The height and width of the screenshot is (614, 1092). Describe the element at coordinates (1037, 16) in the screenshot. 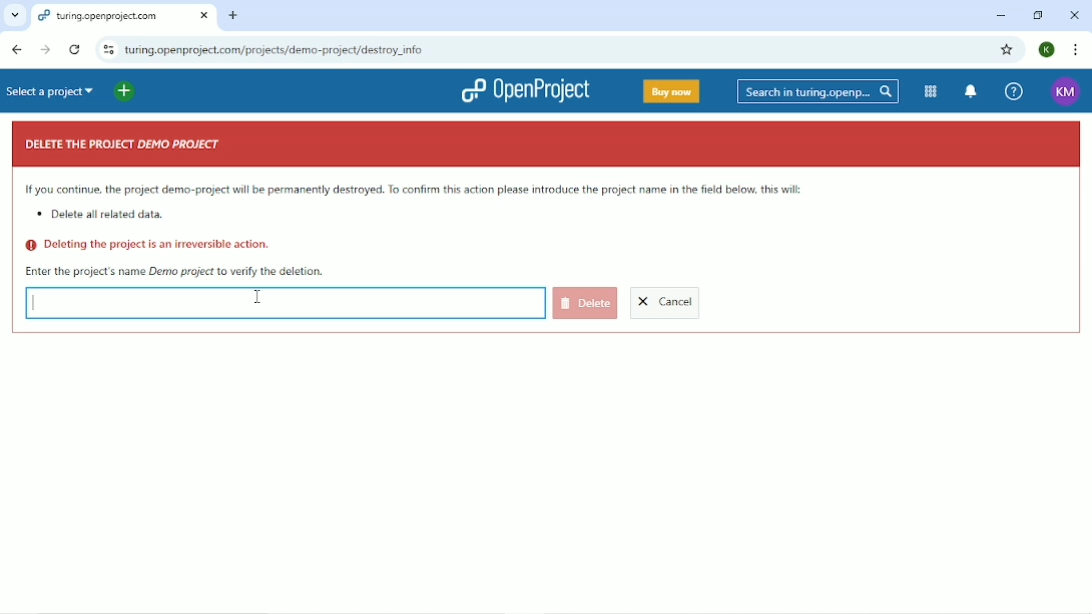

I see `Restore down` at that location.